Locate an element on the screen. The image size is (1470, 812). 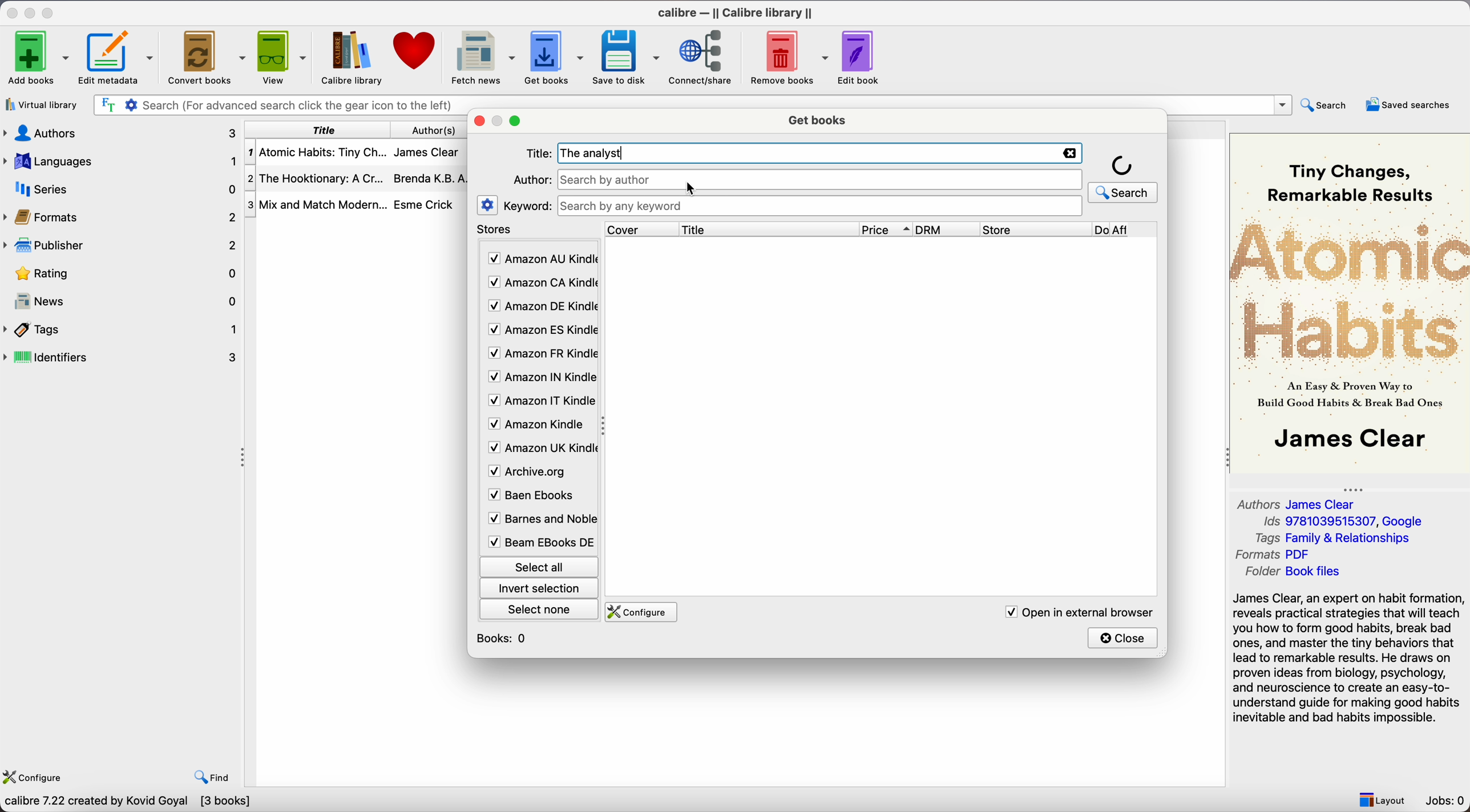
Ids 9781039515307, Google is located at coordinates (1344, 522).